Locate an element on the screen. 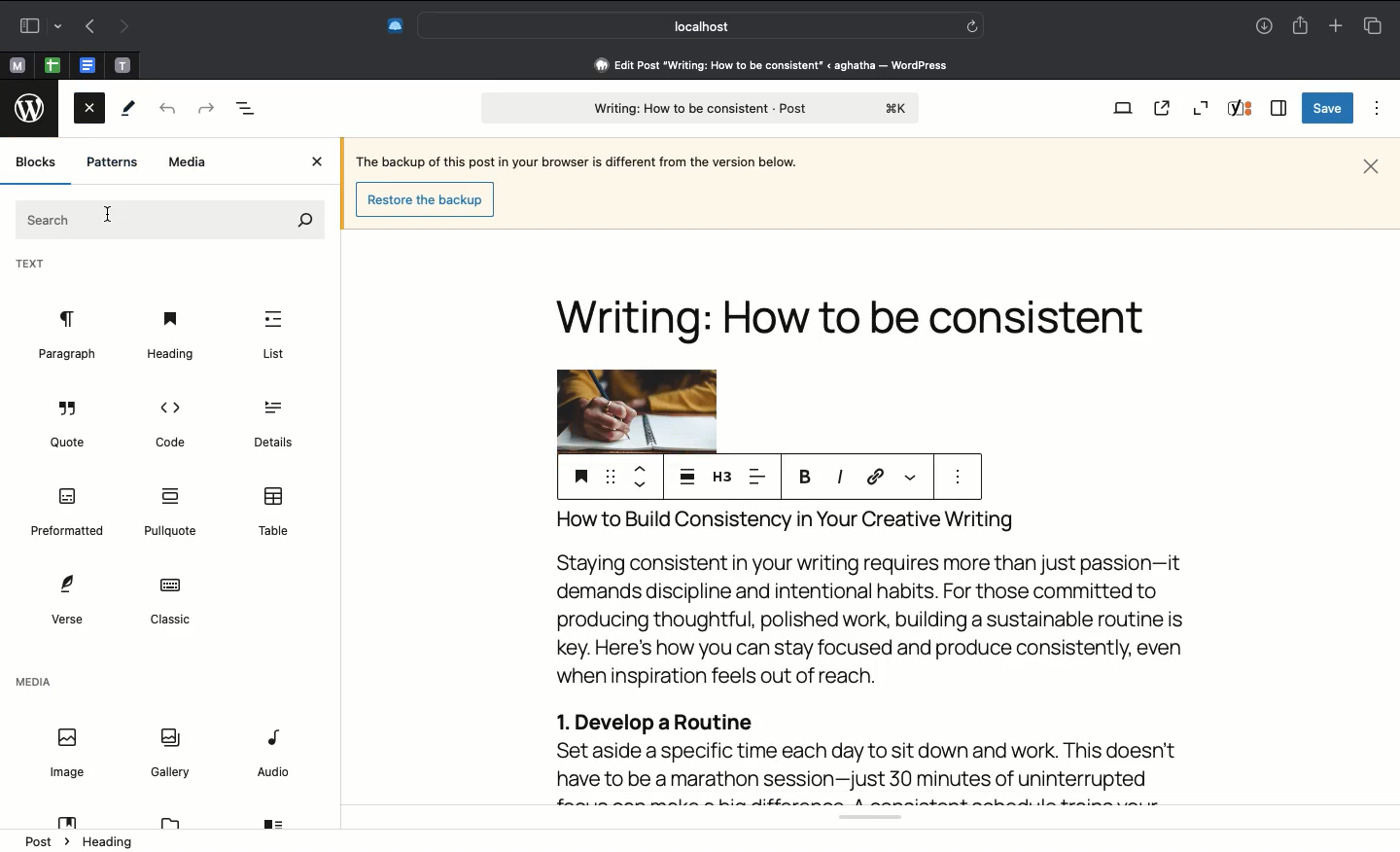  Audio is located at coordinates (275, 756).